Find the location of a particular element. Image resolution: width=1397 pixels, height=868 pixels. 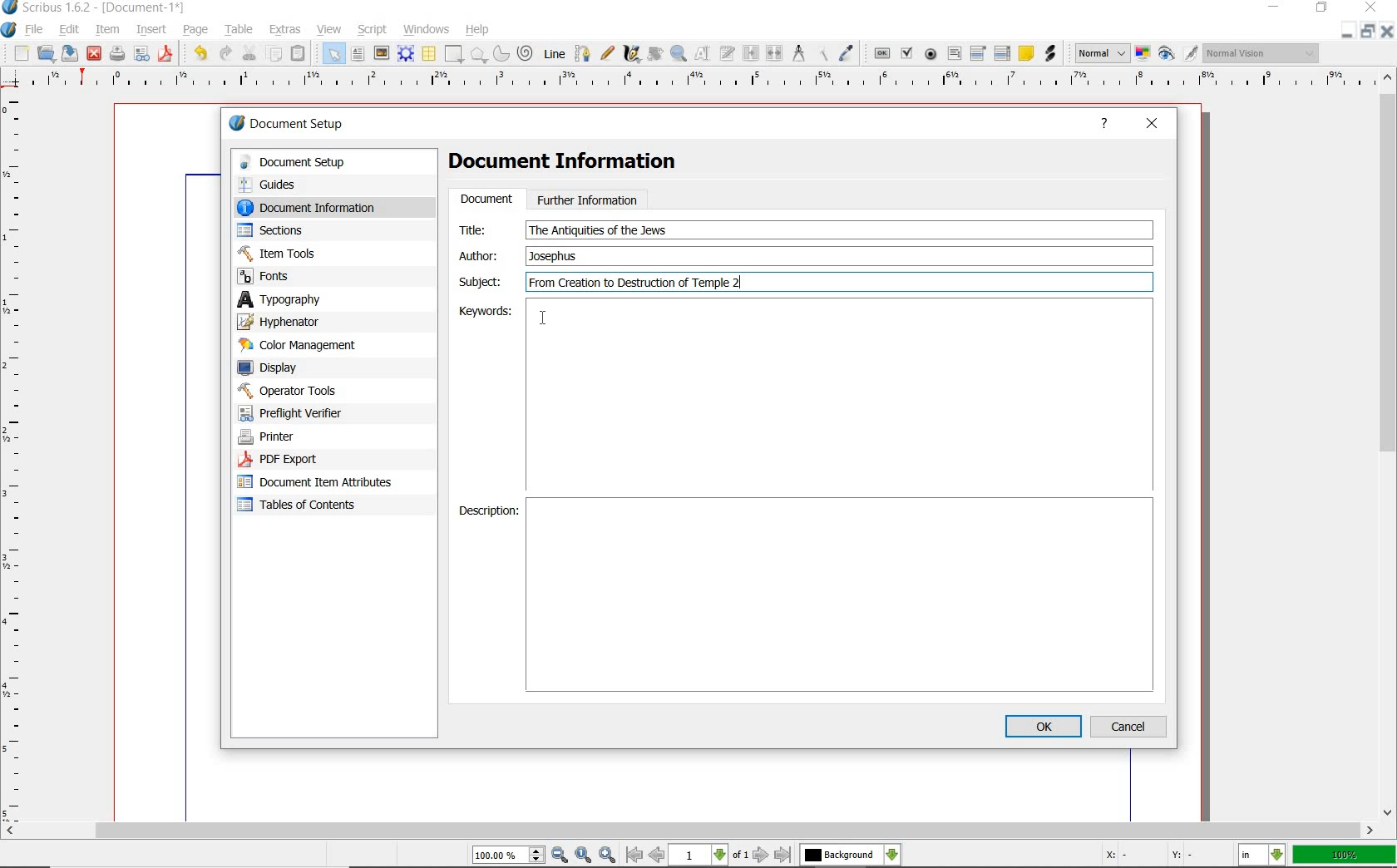

close is located at coordinates (1389, 31).